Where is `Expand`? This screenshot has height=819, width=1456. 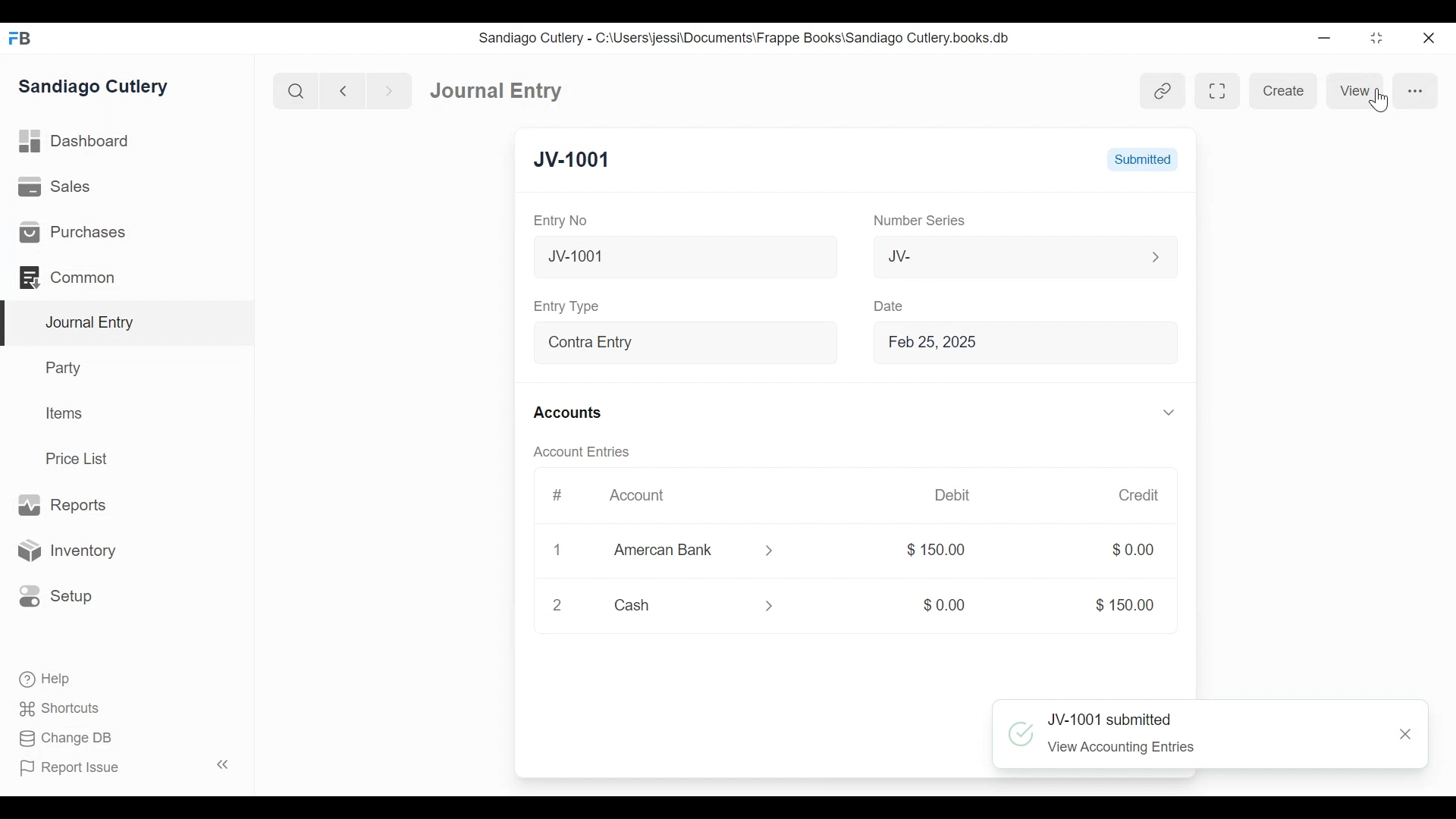
Expand is located at coordinates (1158, 682).